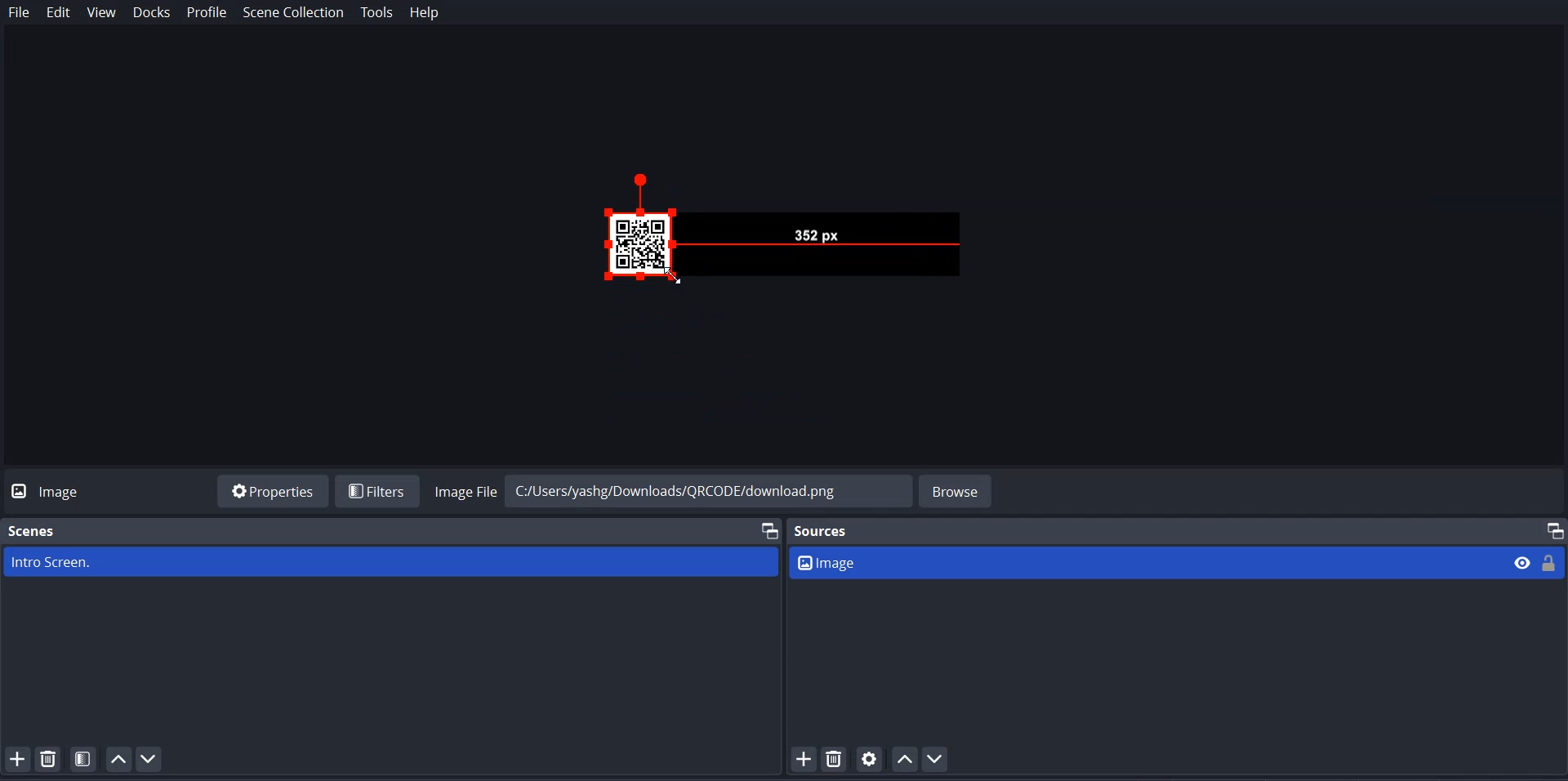 The width and height of the screenshot is (1568, 781). I want to click on Add Scene, so click(16, 758).